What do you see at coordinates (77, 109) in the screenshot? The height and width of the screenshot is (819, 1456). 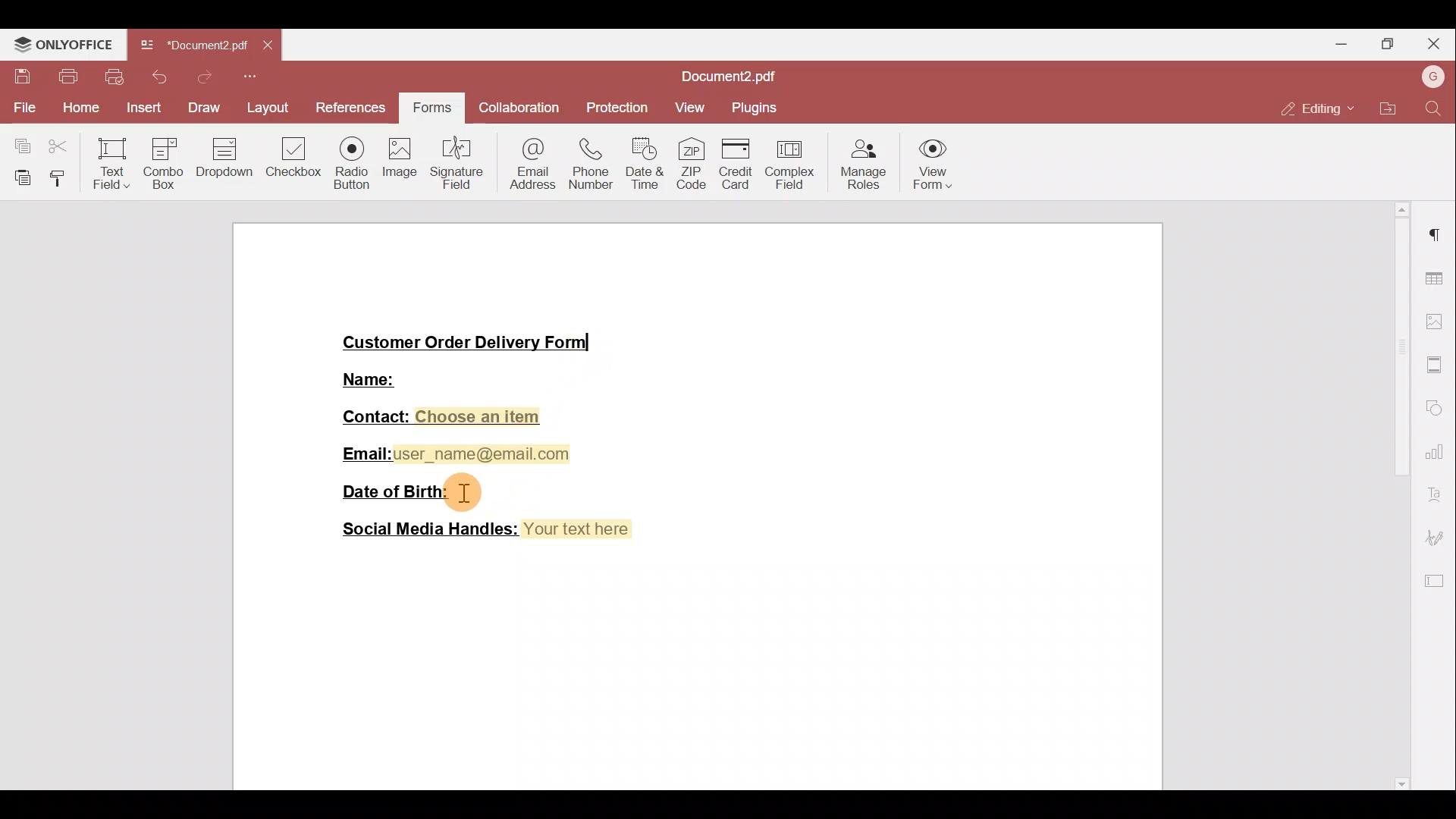 I see `Home` at bounding box center [77, 109].